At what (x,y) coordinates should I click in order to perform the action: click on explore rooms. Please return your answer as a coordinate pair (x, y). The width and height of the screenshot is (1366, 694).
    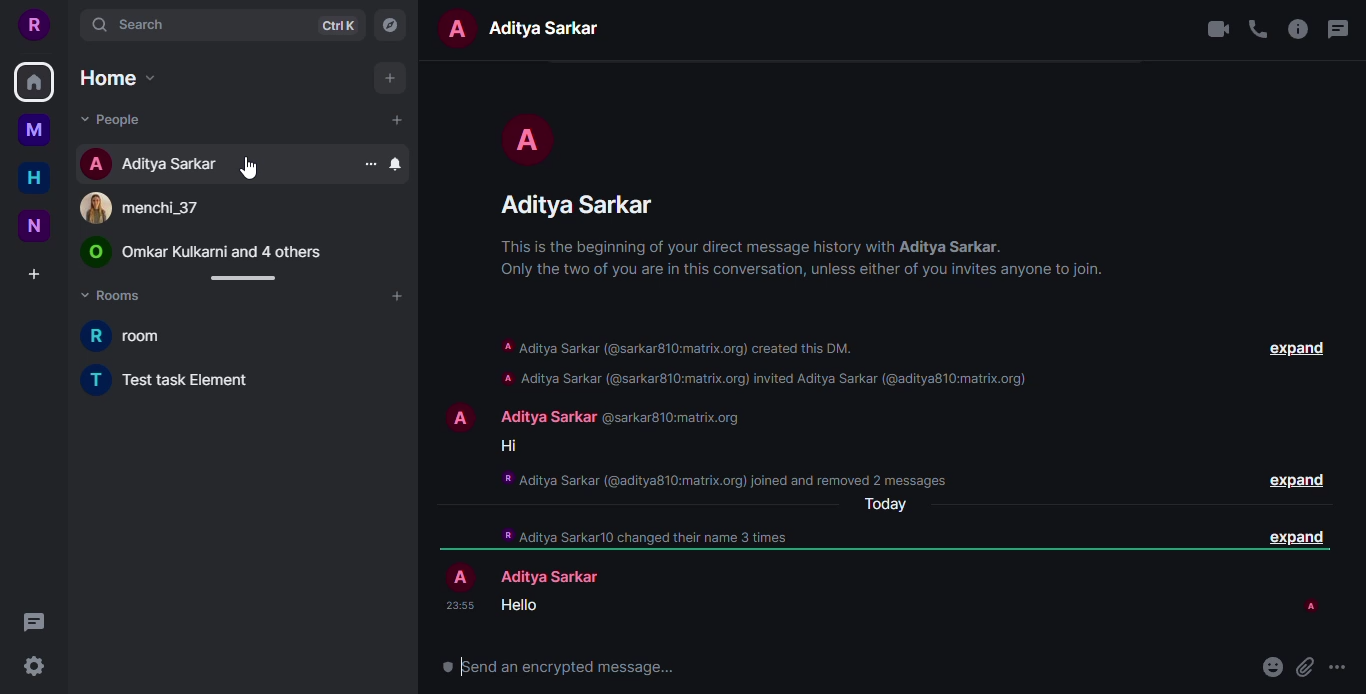
    Looking at the image, I should click on (388, 27).